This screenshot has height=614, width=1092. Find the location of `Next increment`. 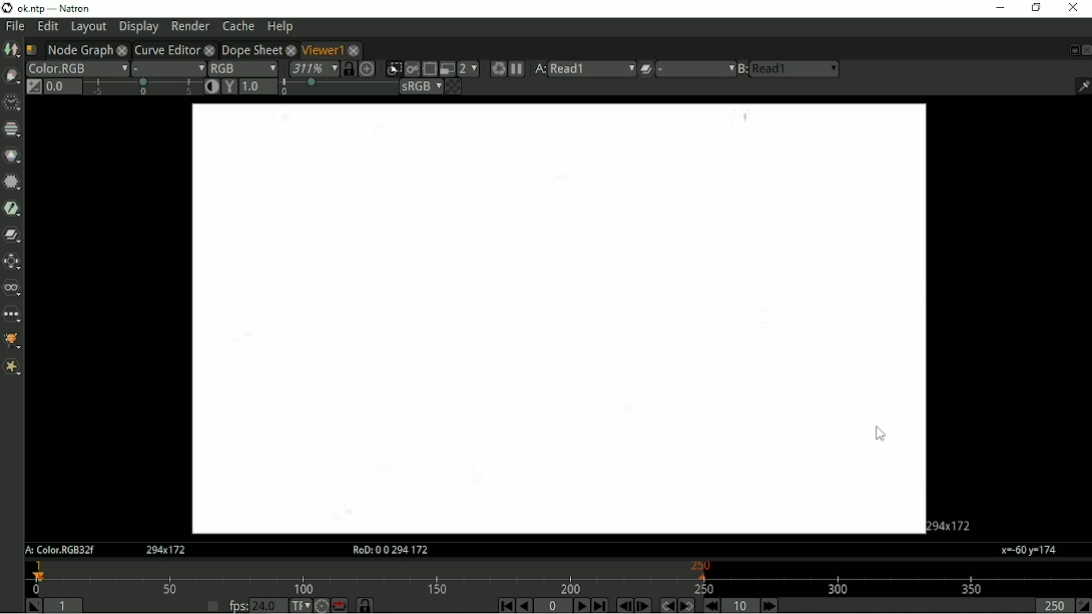

Next increment is located at coordinates (769, 606).